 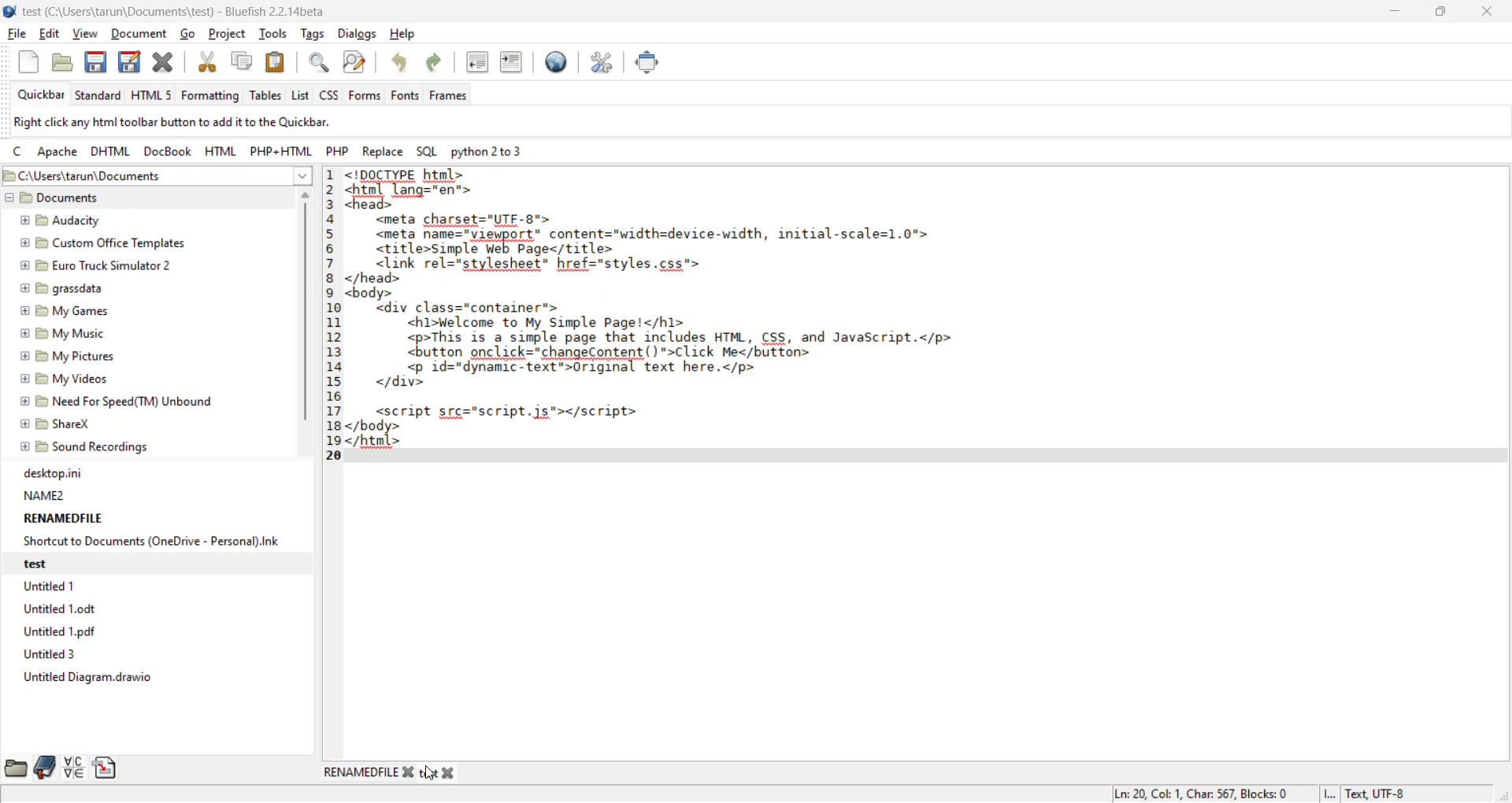 What do you see at coordinates (69, 331) in the screenshot?
I see `My Music` at bounding box center [69, 331].